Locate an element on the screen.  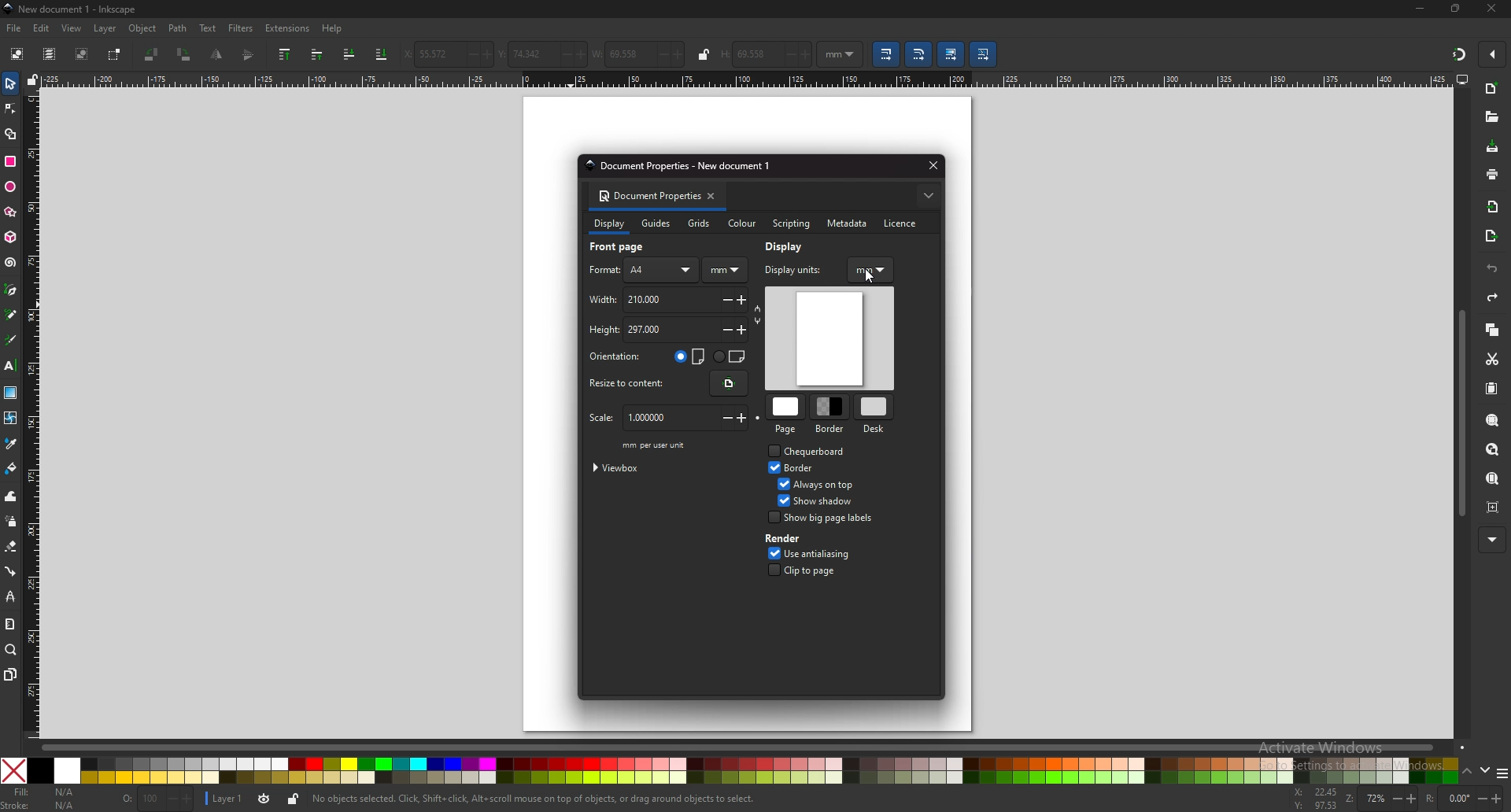
vertical coordinate is located at coordinates (519, 54).